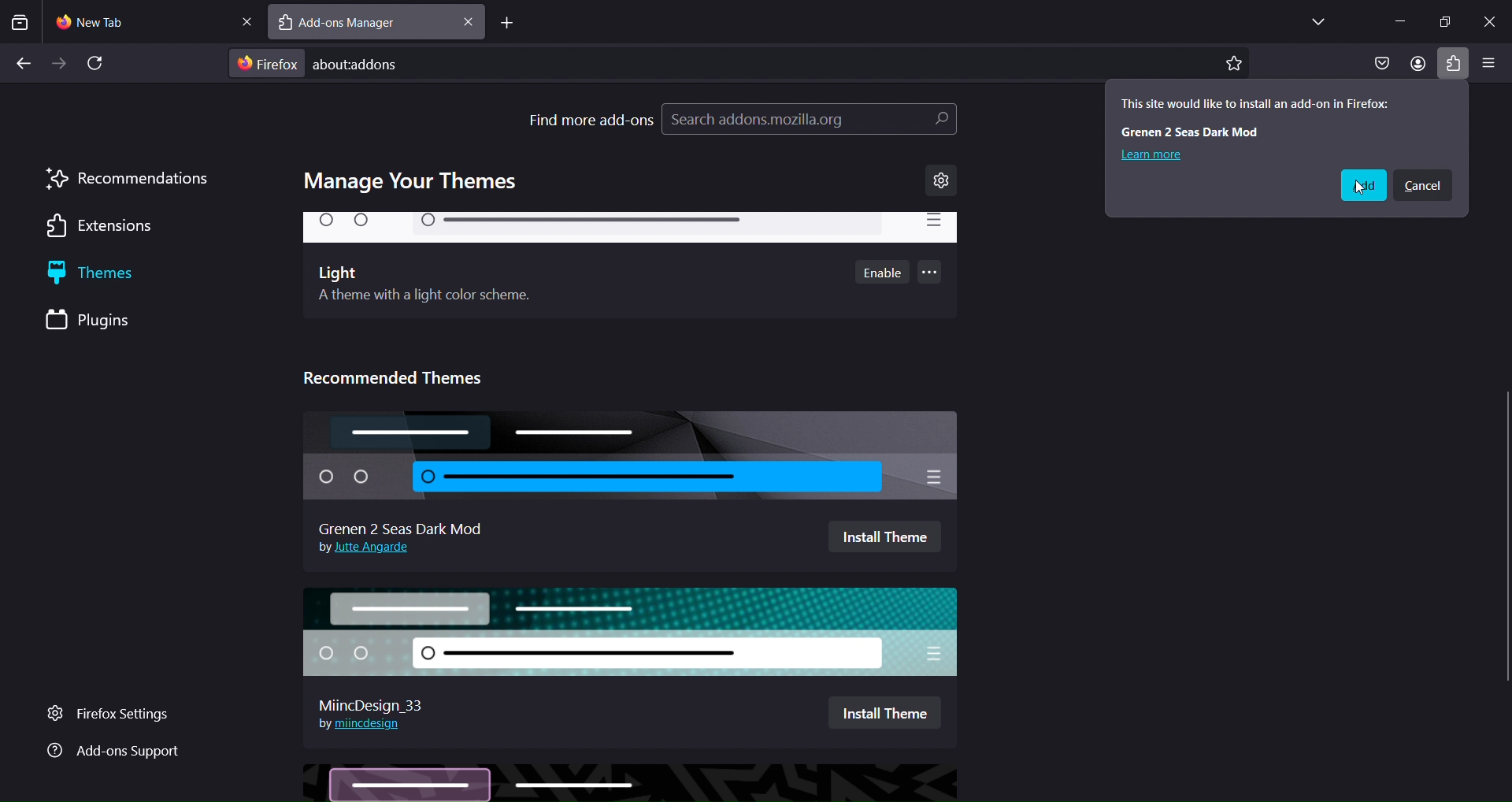 This screenshot has height=802, width=1512. What do you see at coordinates (415, 182) in the screenshot?
I see `manage your themes` at bounding box center [415, 182].